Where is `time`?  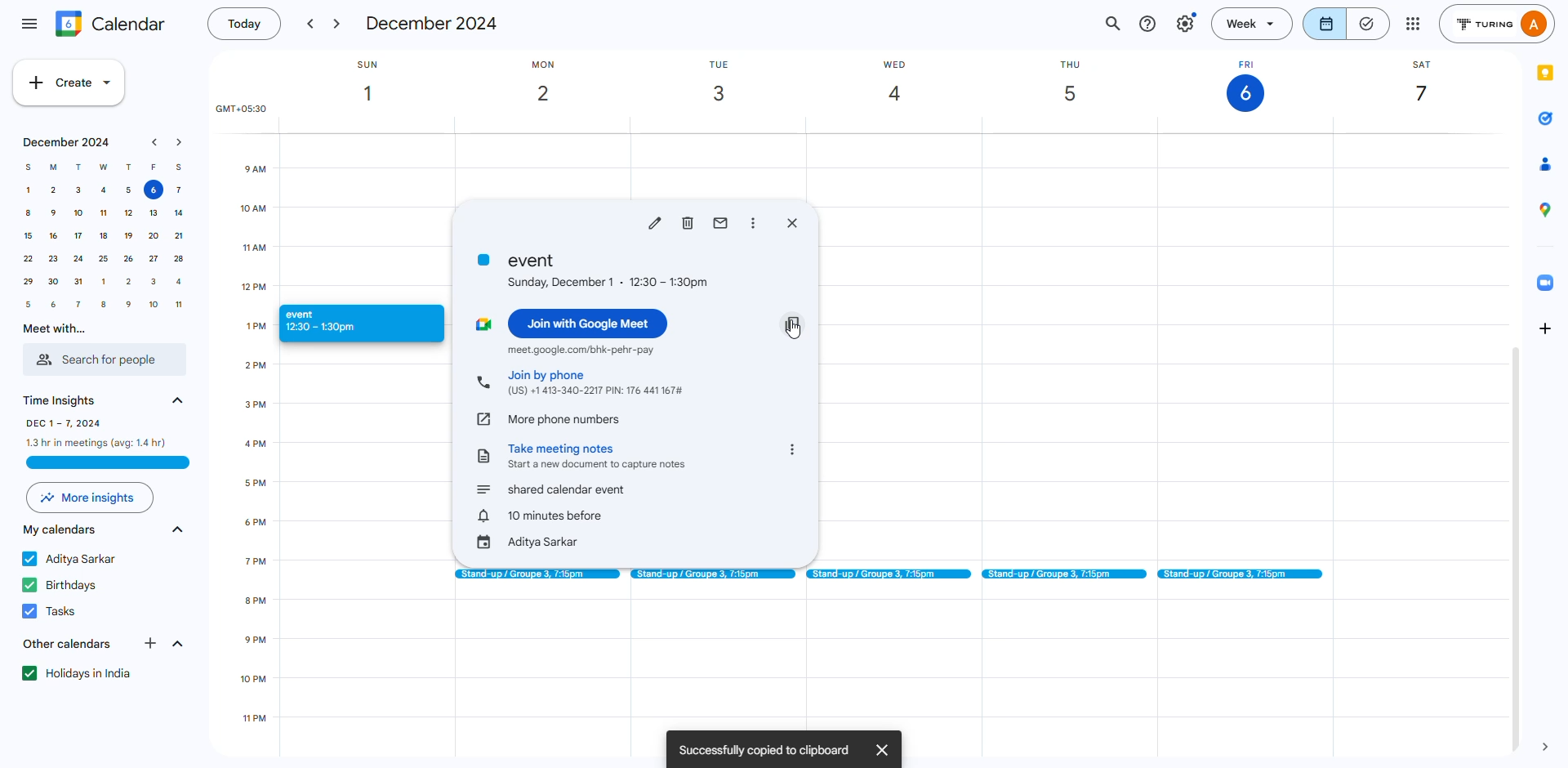
time is located at coordinates (97, 431).